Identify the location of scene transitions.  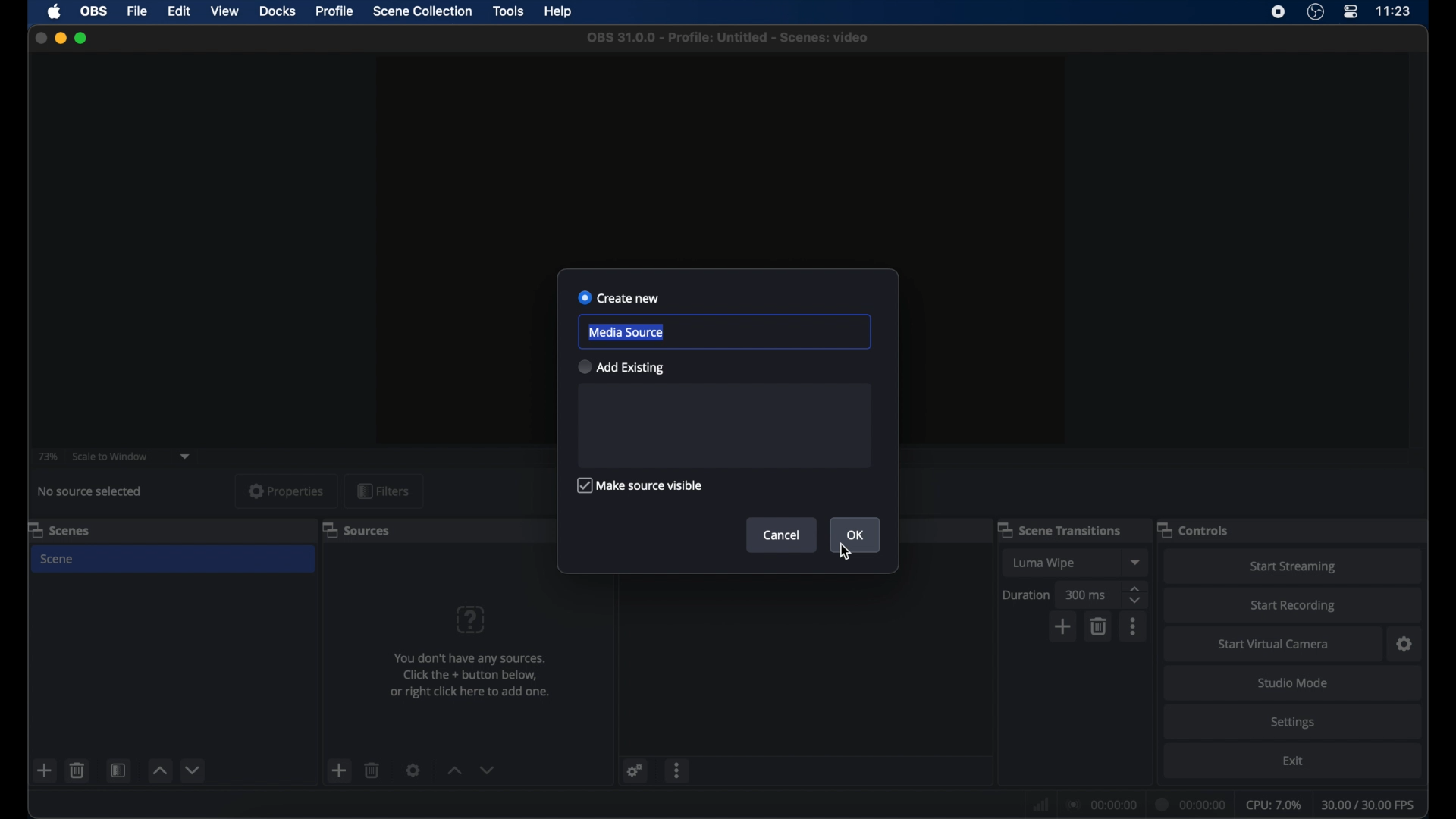
(1060, 530).